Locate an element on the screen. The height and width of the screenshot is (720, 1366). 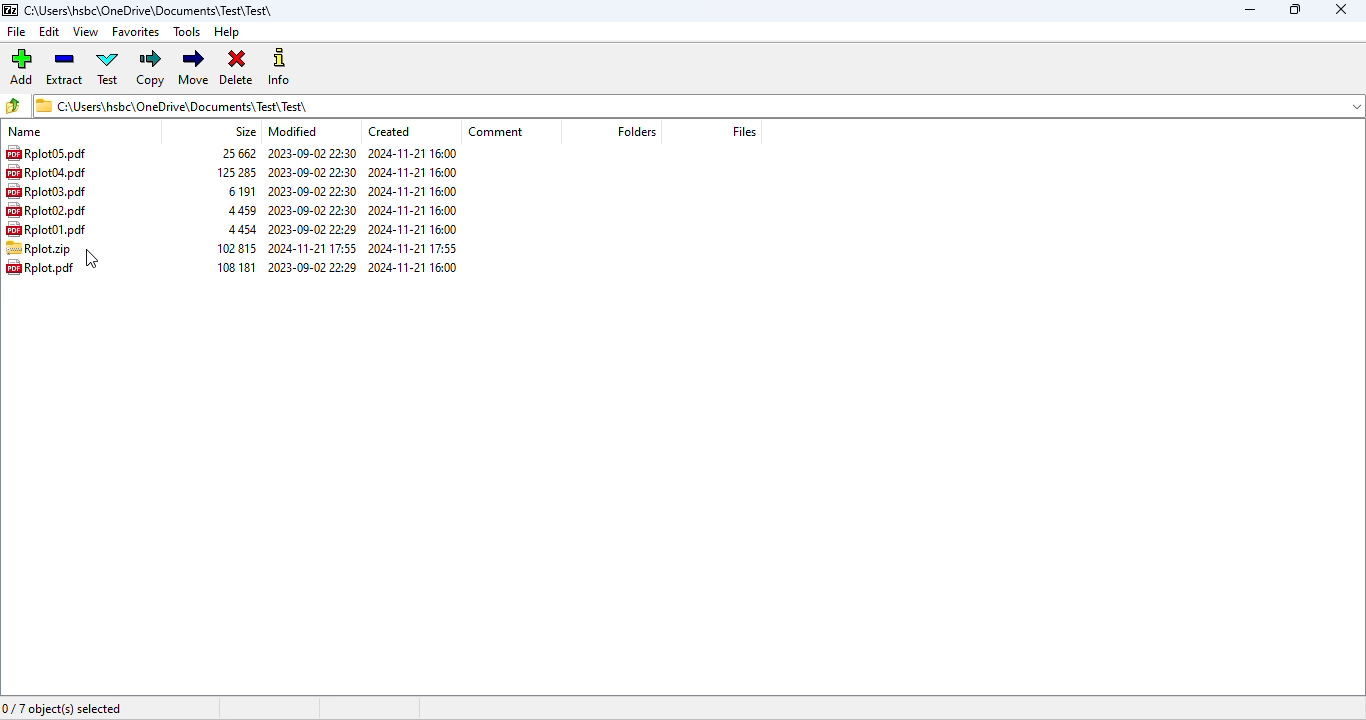
 Rplot0d. pdf is located at coordinates (54, 174).